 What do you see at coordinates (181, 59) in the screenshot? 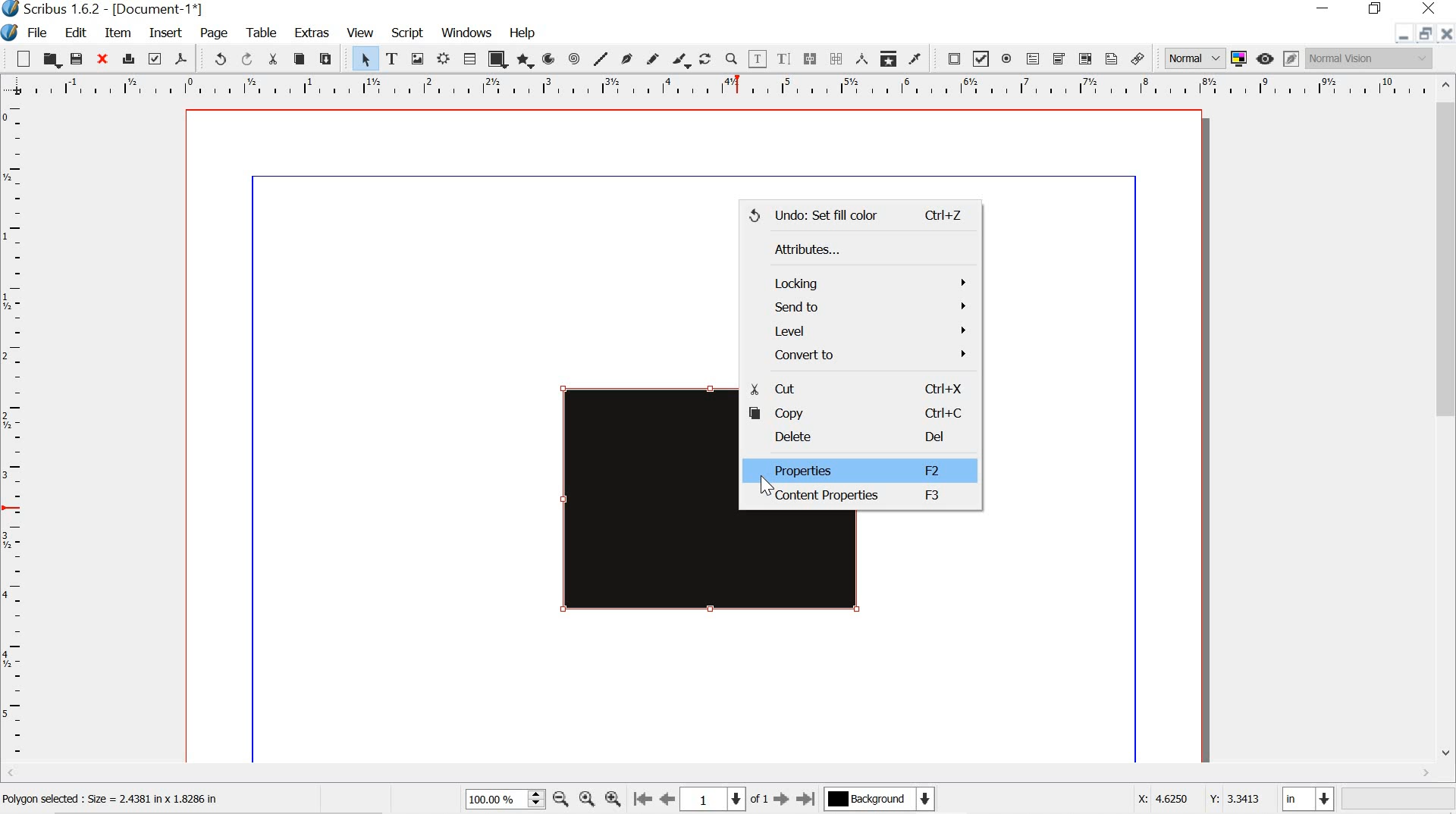
I see `save as pdf` at bounding box center [181, 59].